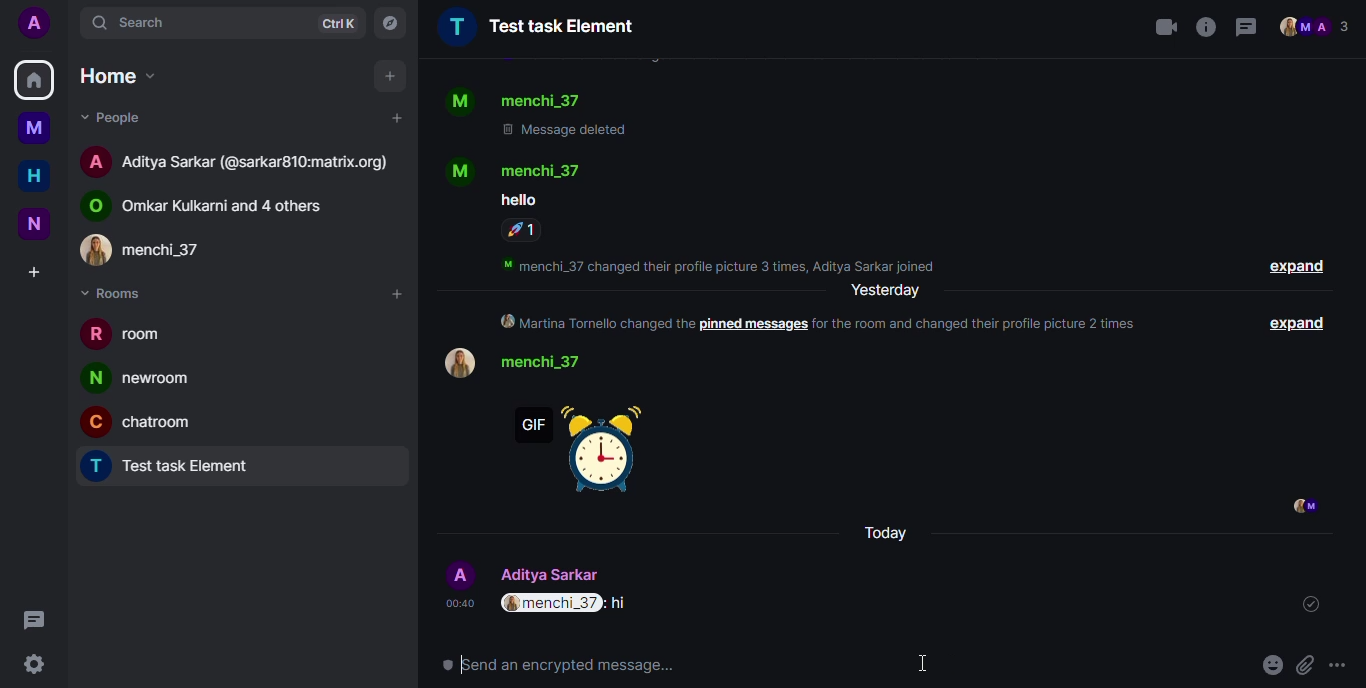 The image size is (1366, 688). What do you see at coordinates (1246, 27) in the screenshot?
I see `threads` at bounding box center [1246, 27].